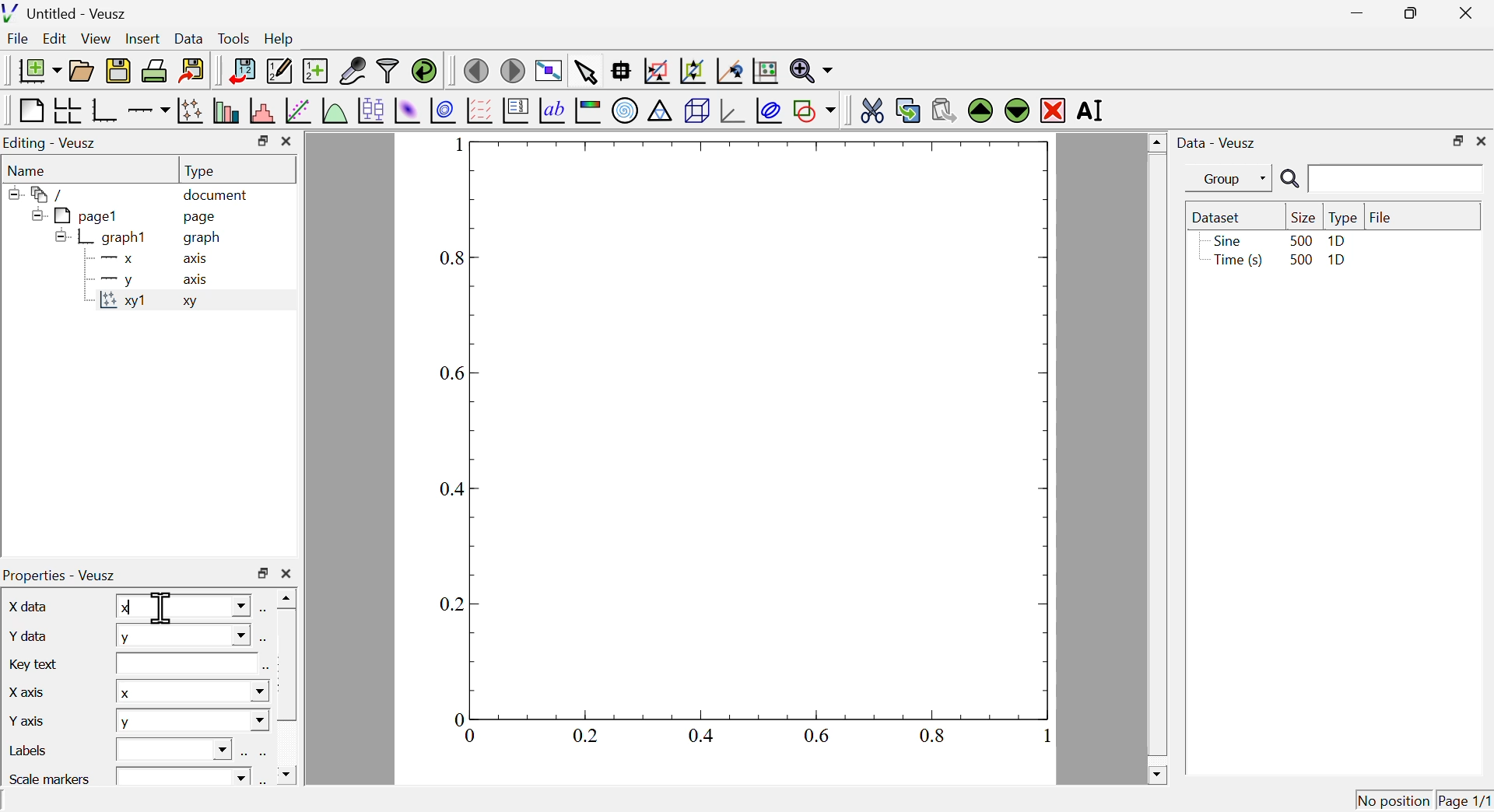  I want to click on draw a rectangle to zoom graph axes, so click(656, 71).